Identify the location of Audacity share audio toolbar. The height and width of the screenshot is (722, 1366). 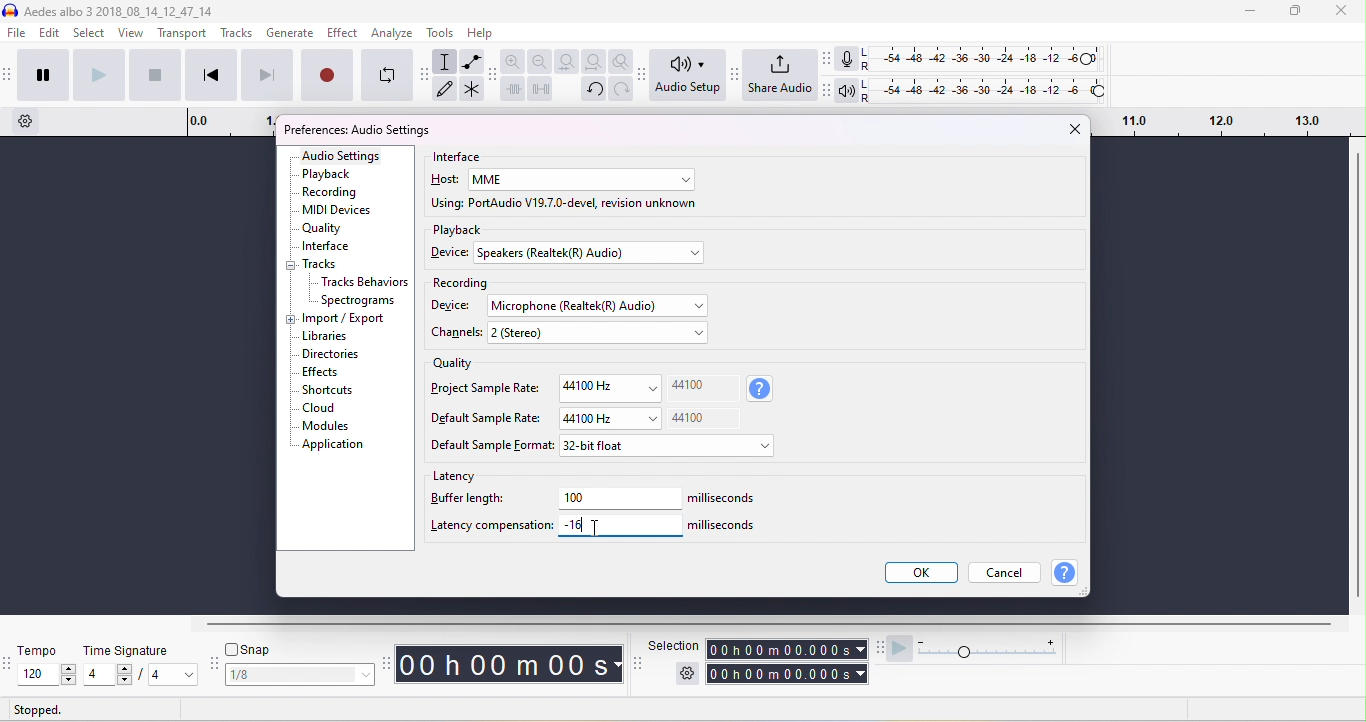
(736, 75).